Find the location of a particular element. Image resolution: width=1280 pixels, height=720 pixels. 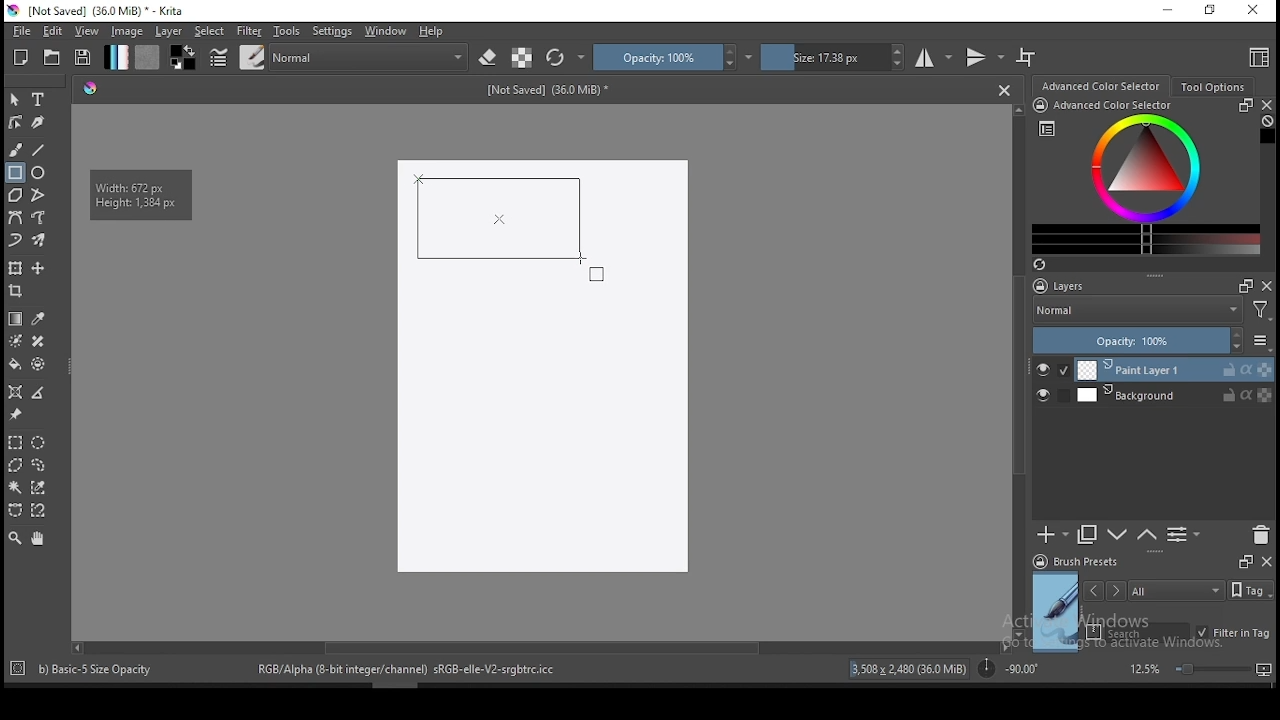

ellipse tool is located at coordinates (39, 171).